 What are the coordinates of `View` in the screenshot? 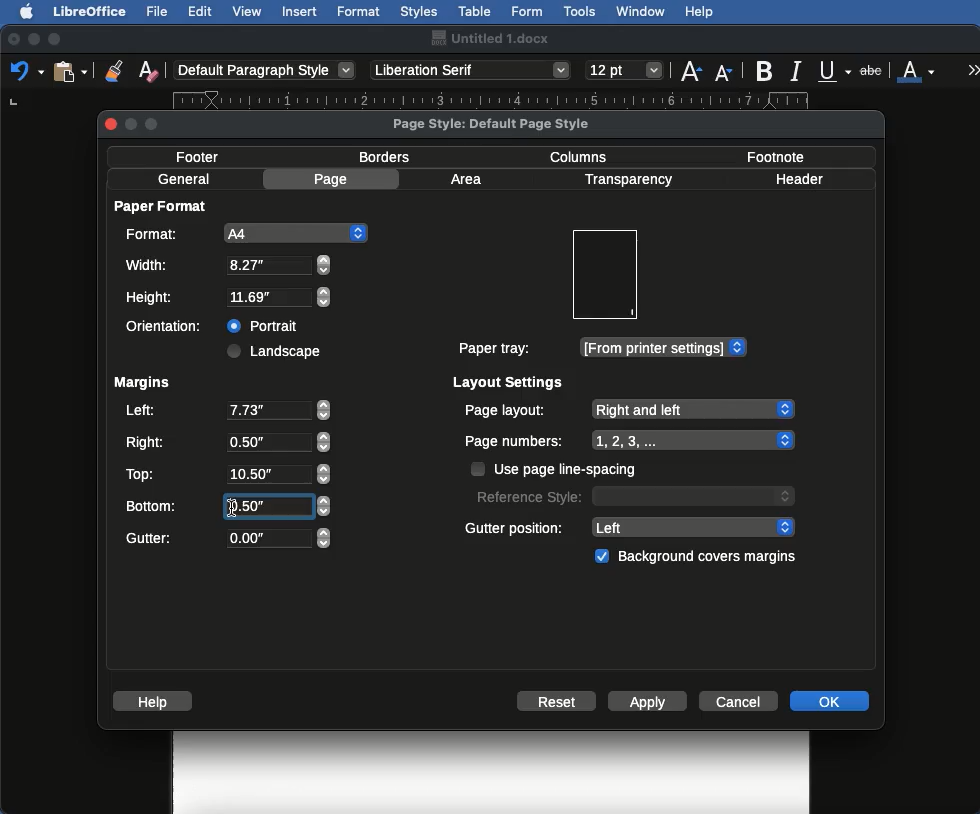 It's located at (248, 11).